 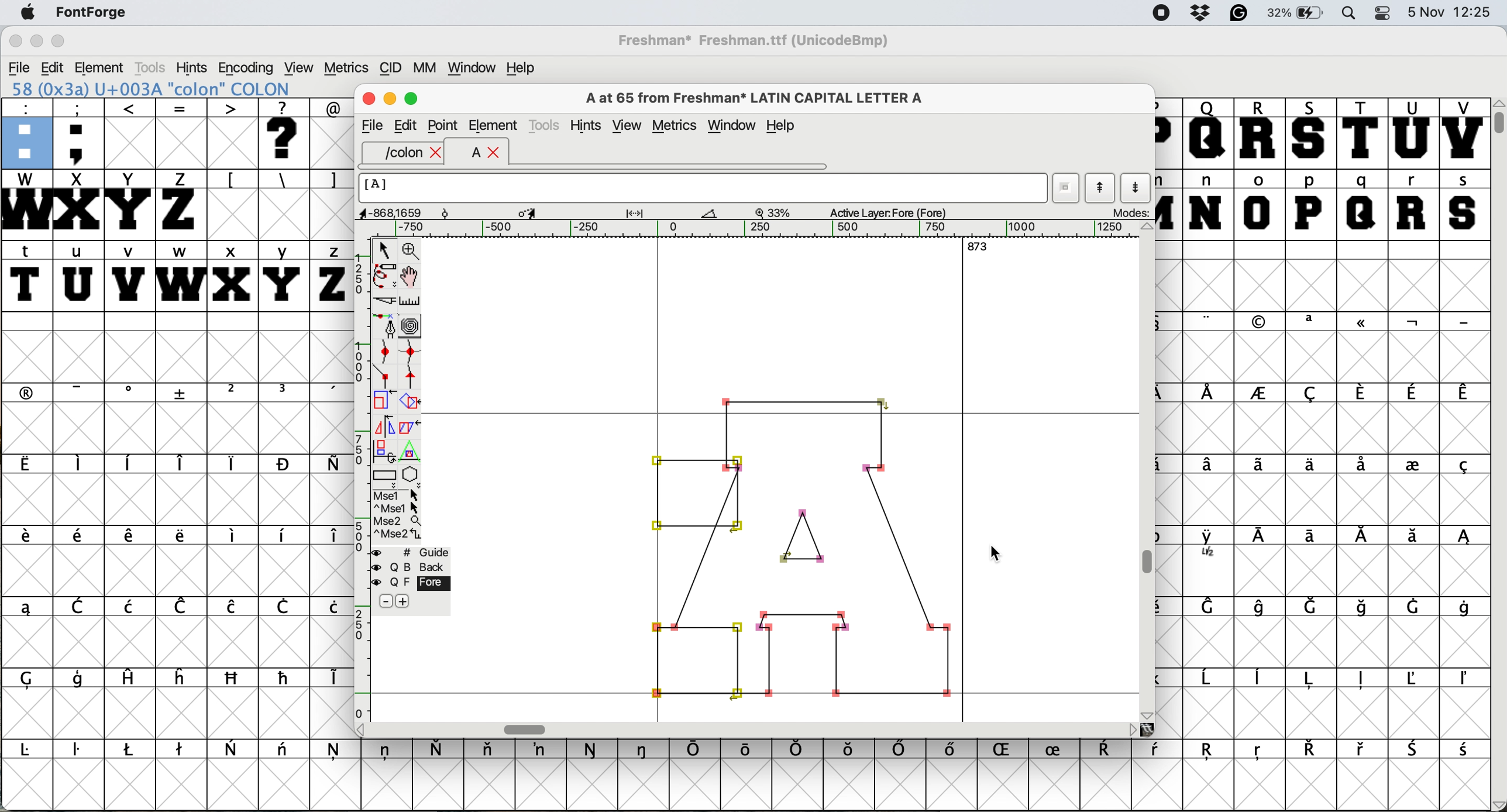 What do you see at coordinates (755, 97) in the screenshot?
I see `A at 65 from Freshman LATIN CAPITAL LETTER A` at bounding box center [755, 97].